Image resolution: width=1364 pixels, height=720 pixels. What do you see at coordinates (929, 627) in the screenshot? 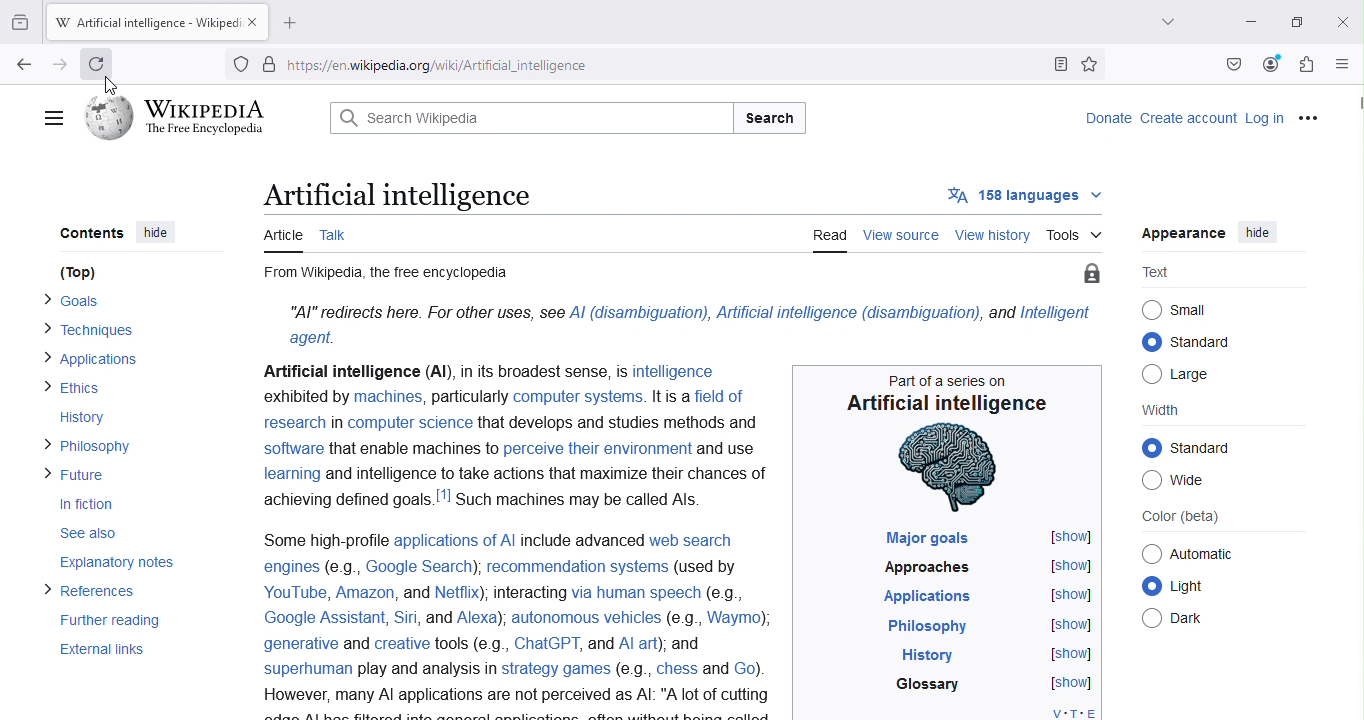
I see `Philosophy` at bounding box center [929, 627].